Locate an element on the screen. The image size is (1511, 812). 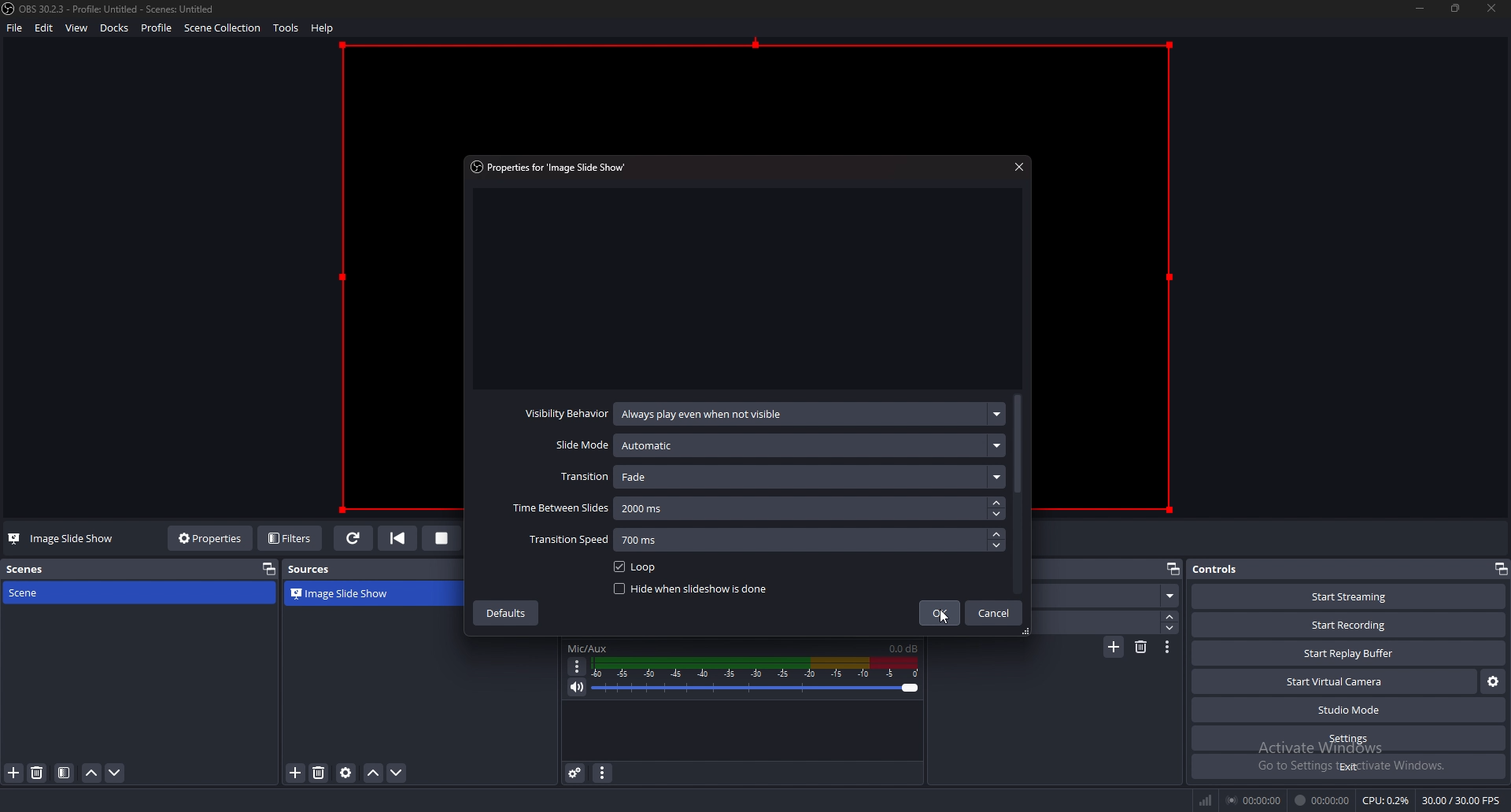
file is located at coordinates (15, 28).